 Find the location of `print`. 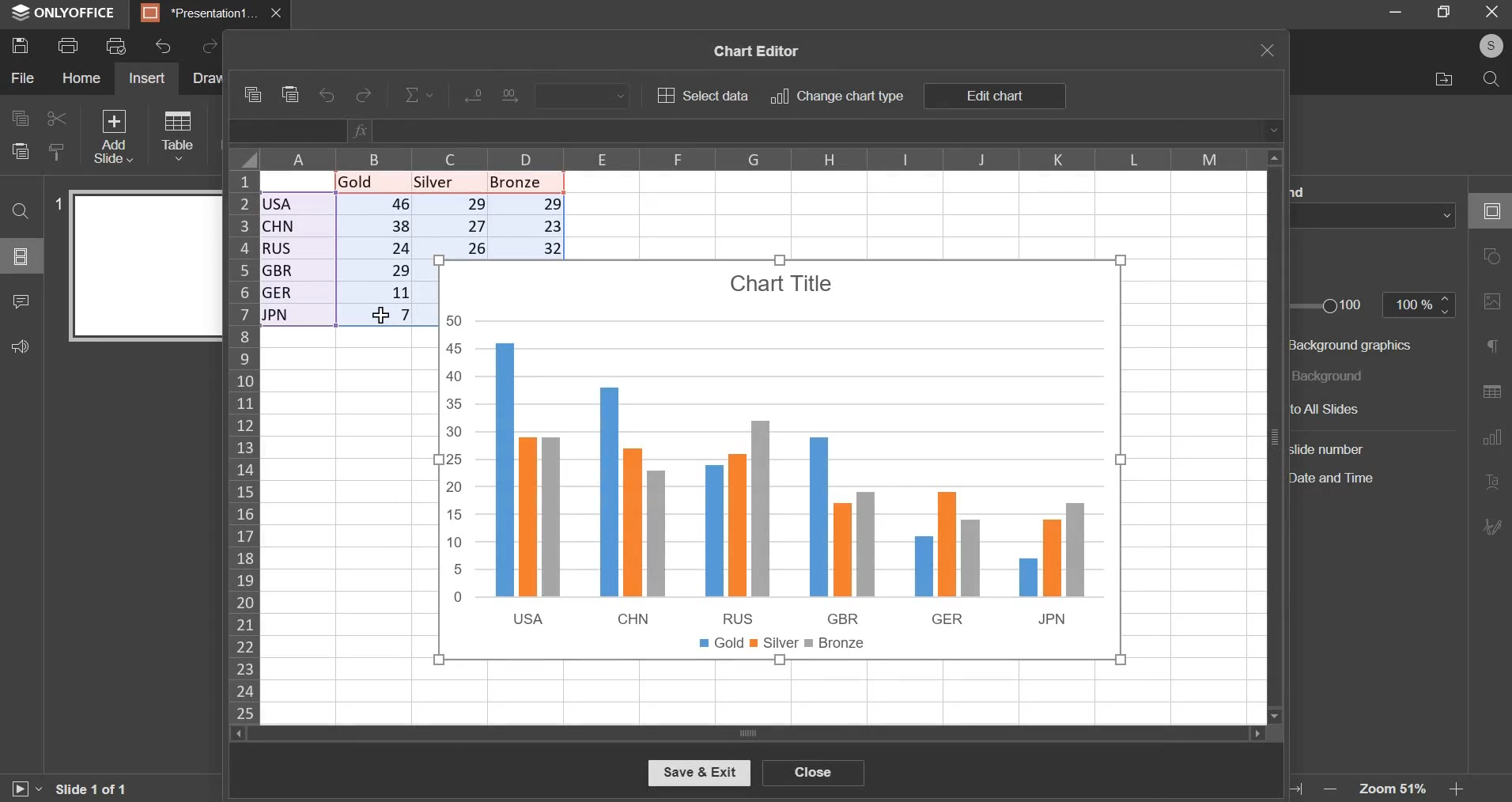

print is located at coordinates (67, 46).